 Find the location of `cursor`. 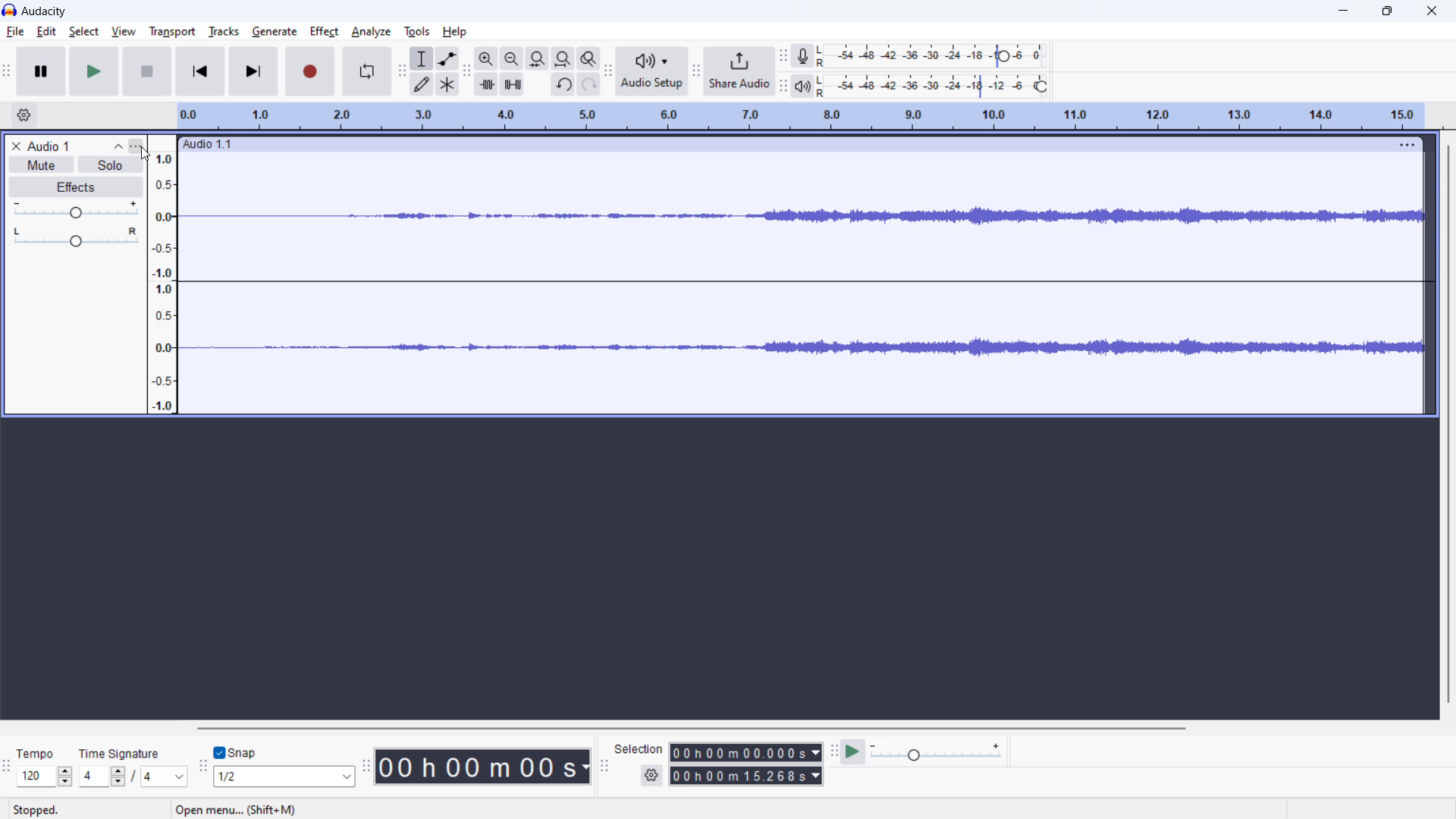

cursor is located at coordinates (146, 153).